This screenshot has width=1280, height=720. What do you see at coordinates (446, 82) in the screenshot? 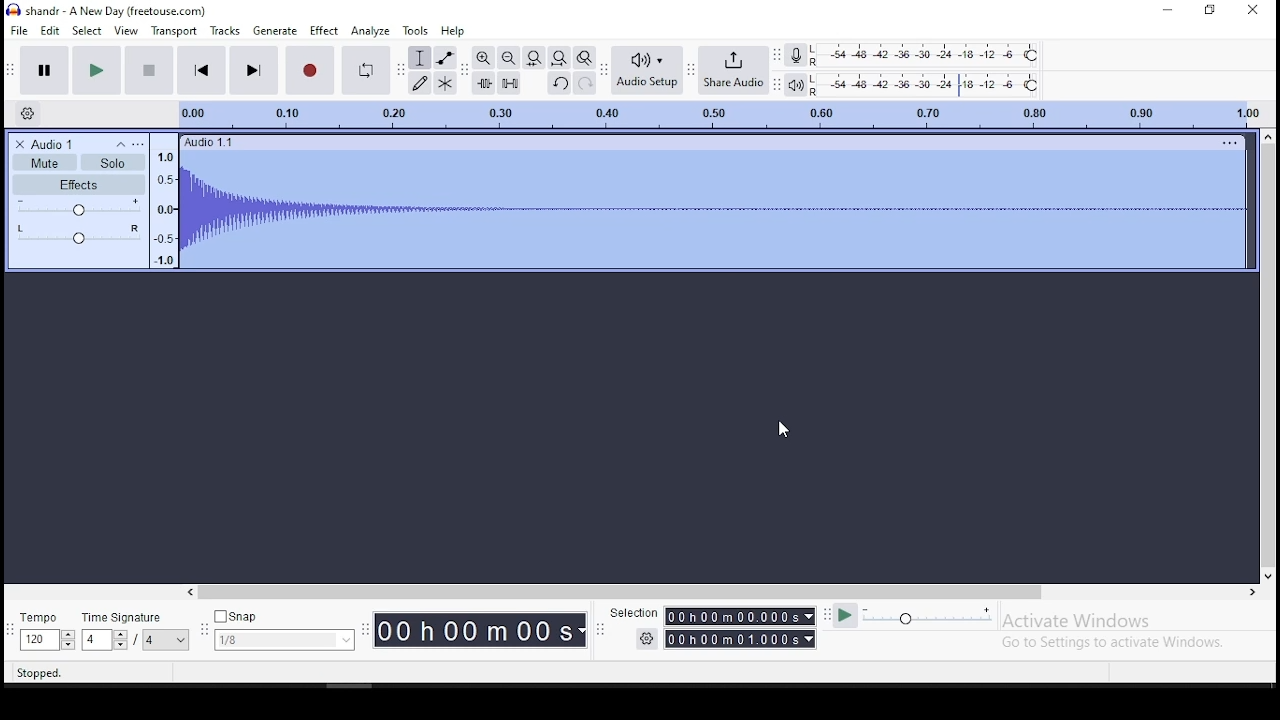
I see `multi tool` at bounding box center [446, 82].